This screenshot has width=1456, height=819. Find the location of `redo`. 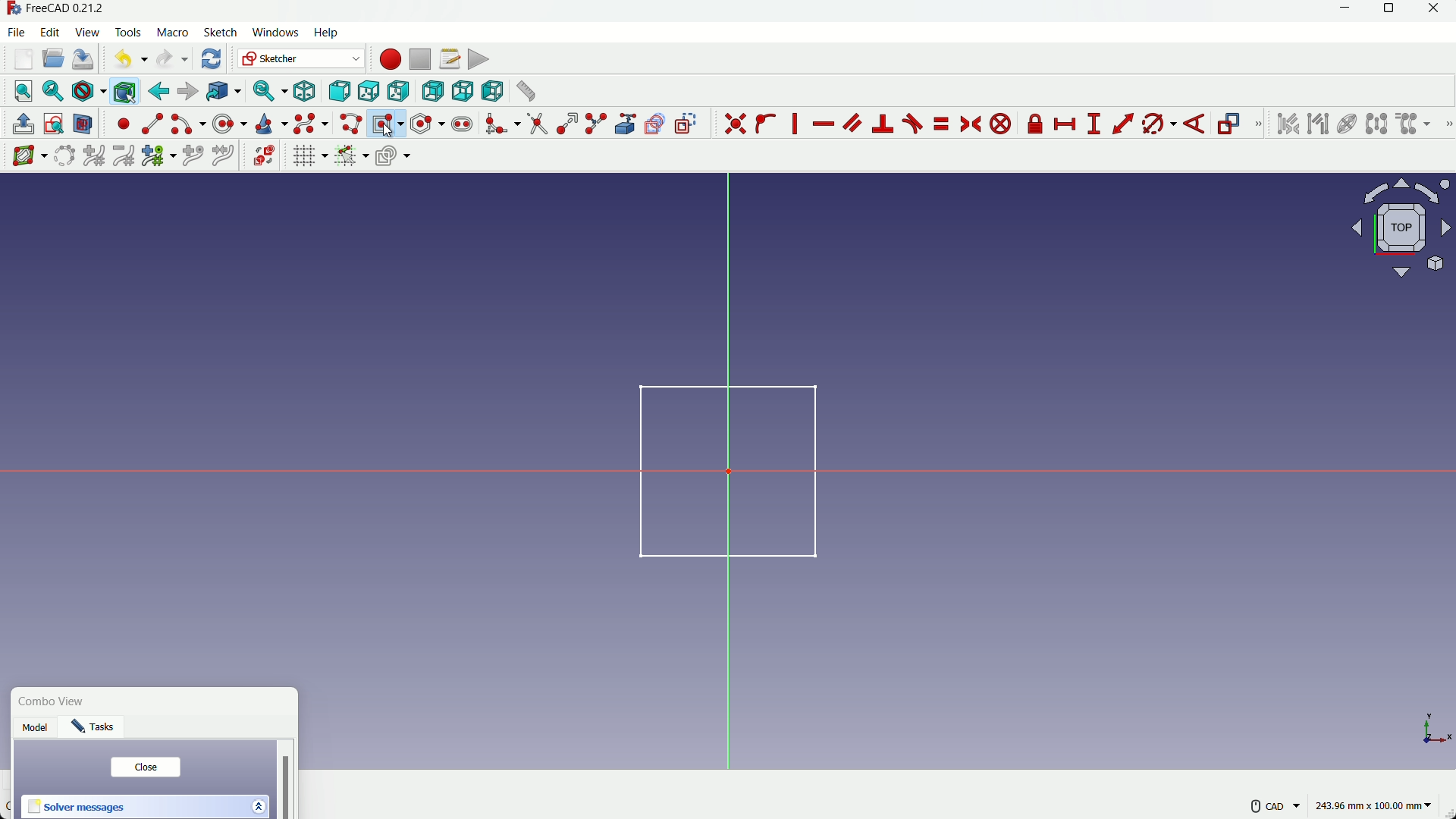

redo is located at coordinates (172, 59).